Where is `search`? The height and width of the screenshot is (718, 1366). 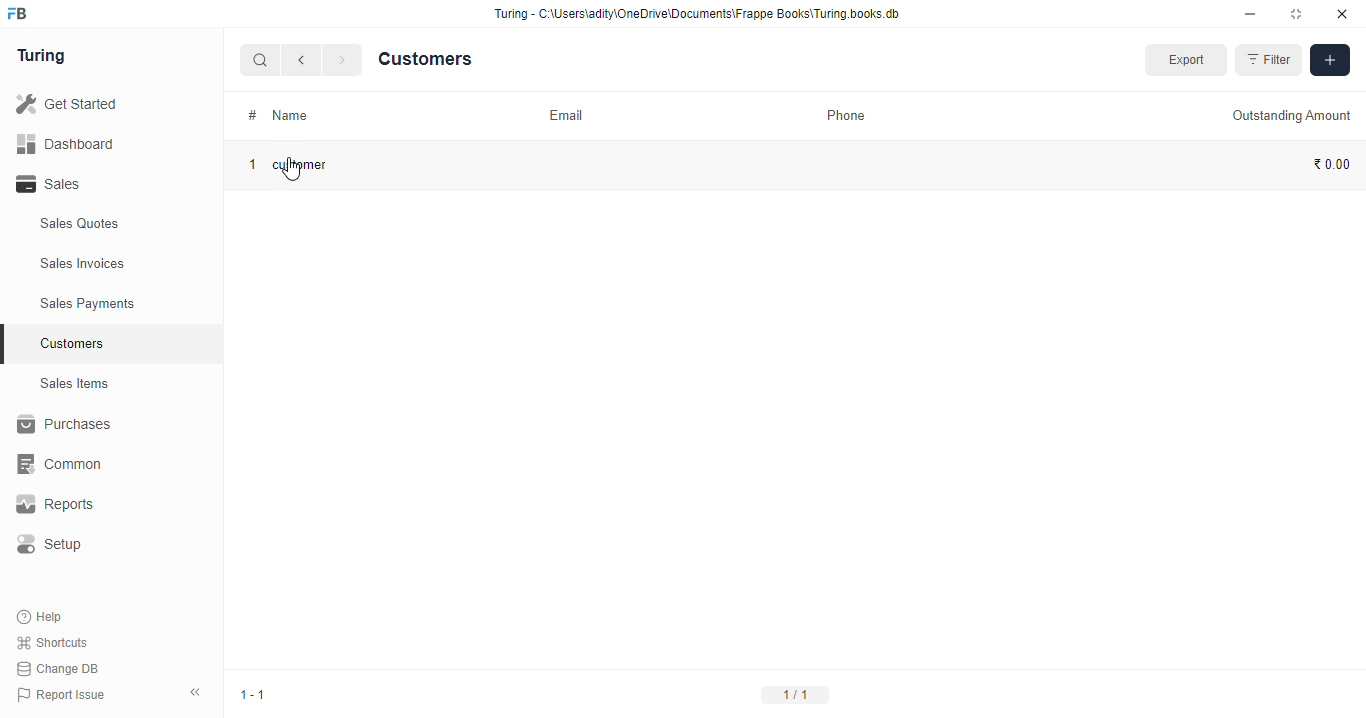
search is located at coordinates (261, 62).